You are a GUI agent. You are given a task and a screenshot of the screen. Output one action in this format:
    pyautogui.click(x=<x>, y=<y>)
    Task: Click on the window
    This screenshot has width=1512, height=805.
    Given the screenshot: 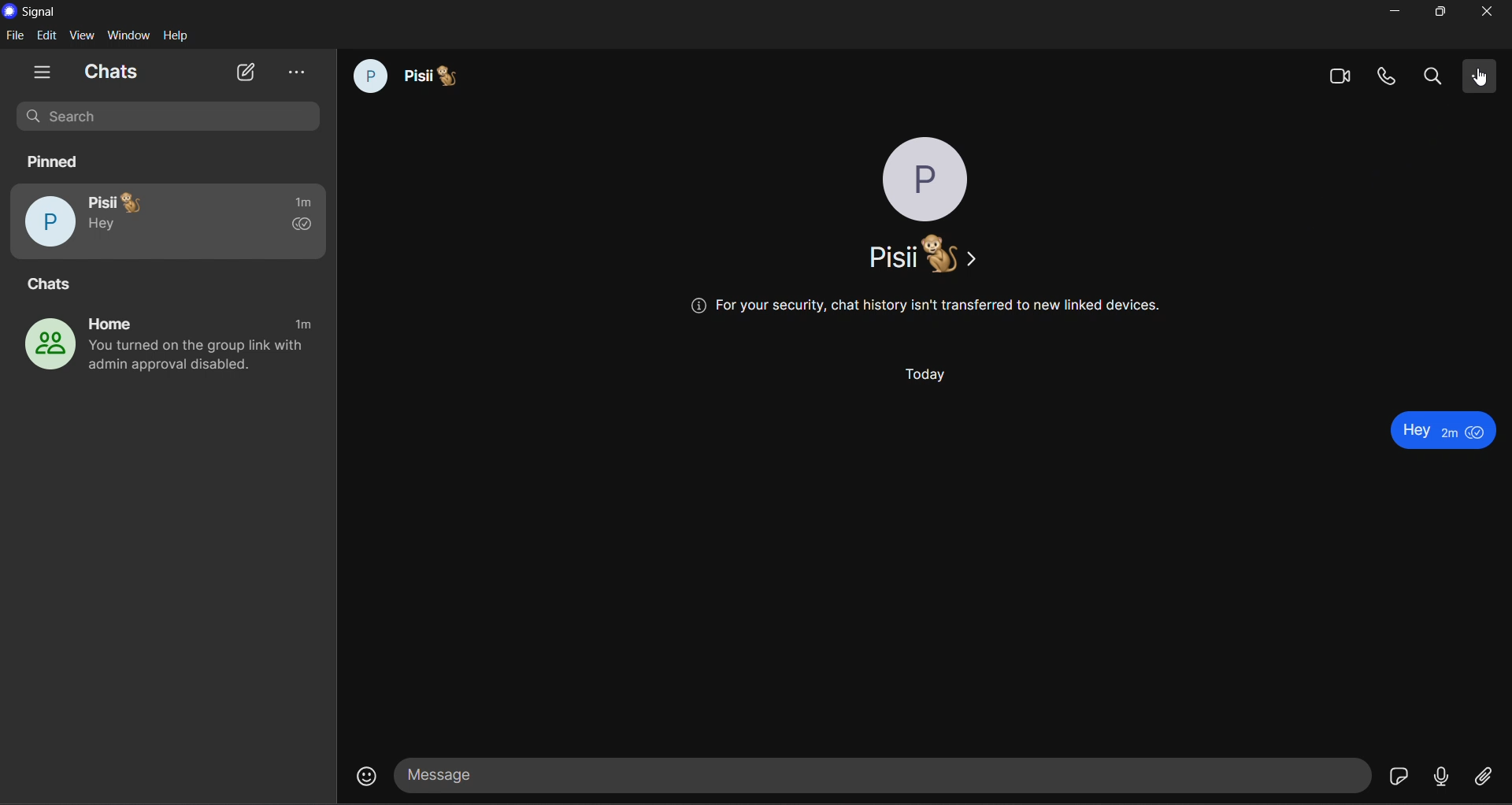 What is the action you would take?
    pyautogui.click(x=130, y=35)
    